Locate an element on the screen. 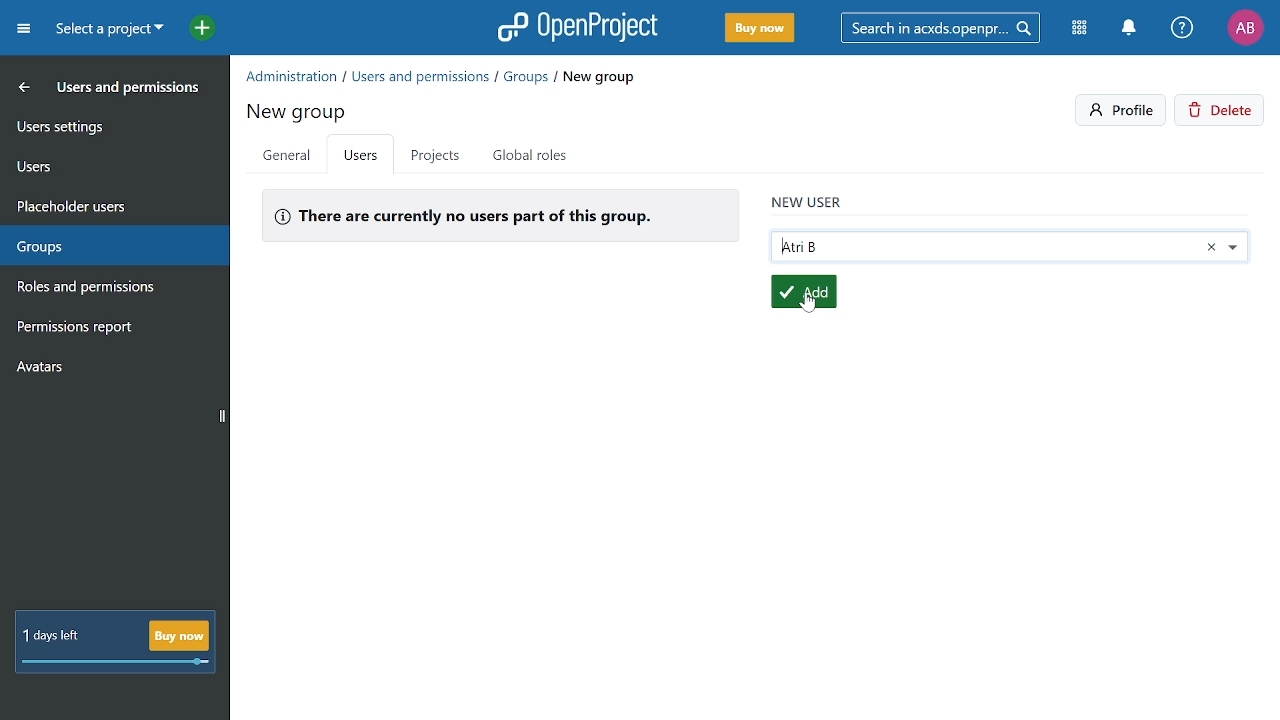  add user is located at coordinates (802, 290).